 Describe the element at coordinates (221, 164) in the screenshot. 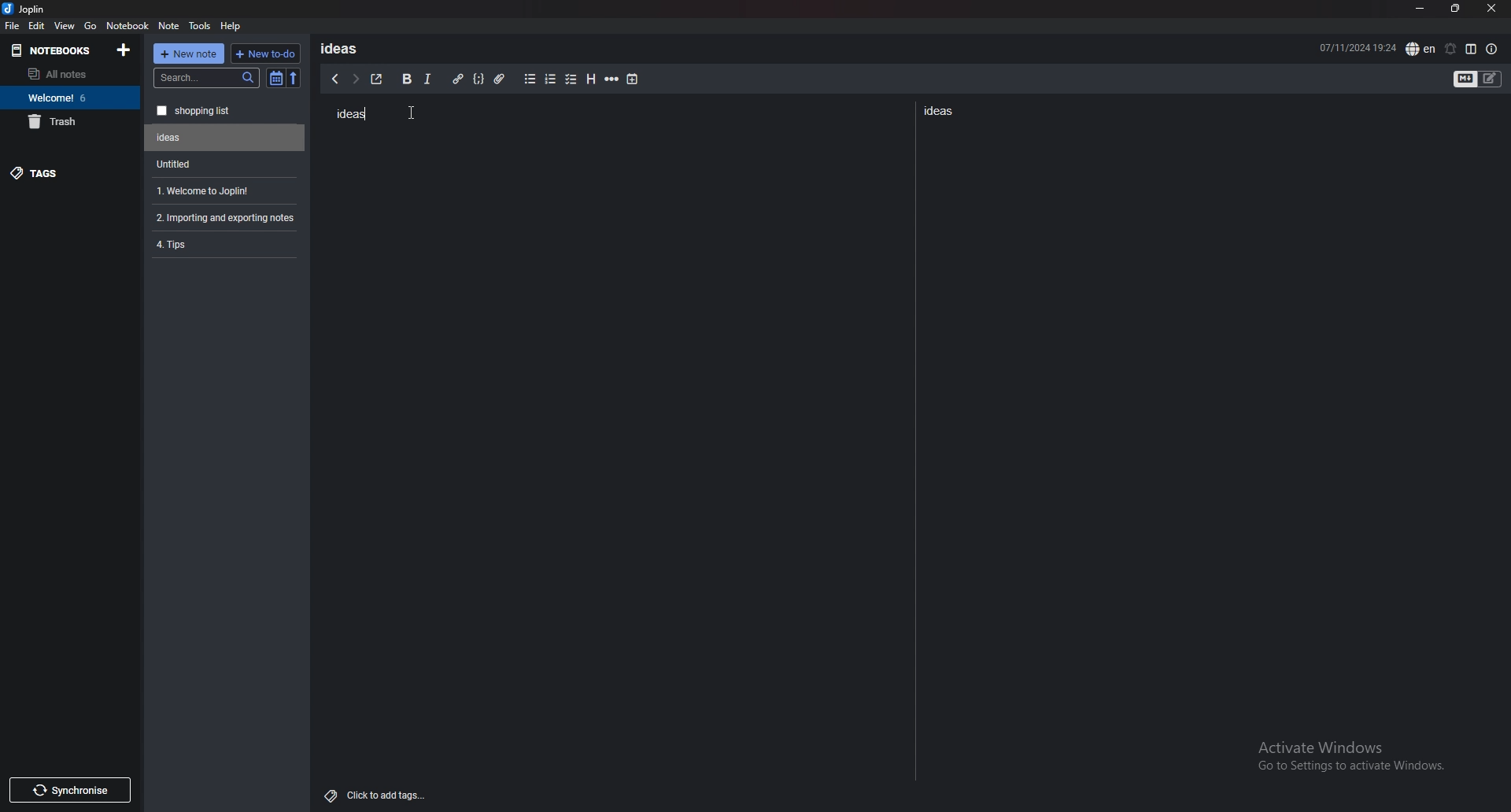

I see `Untitled` at that location.